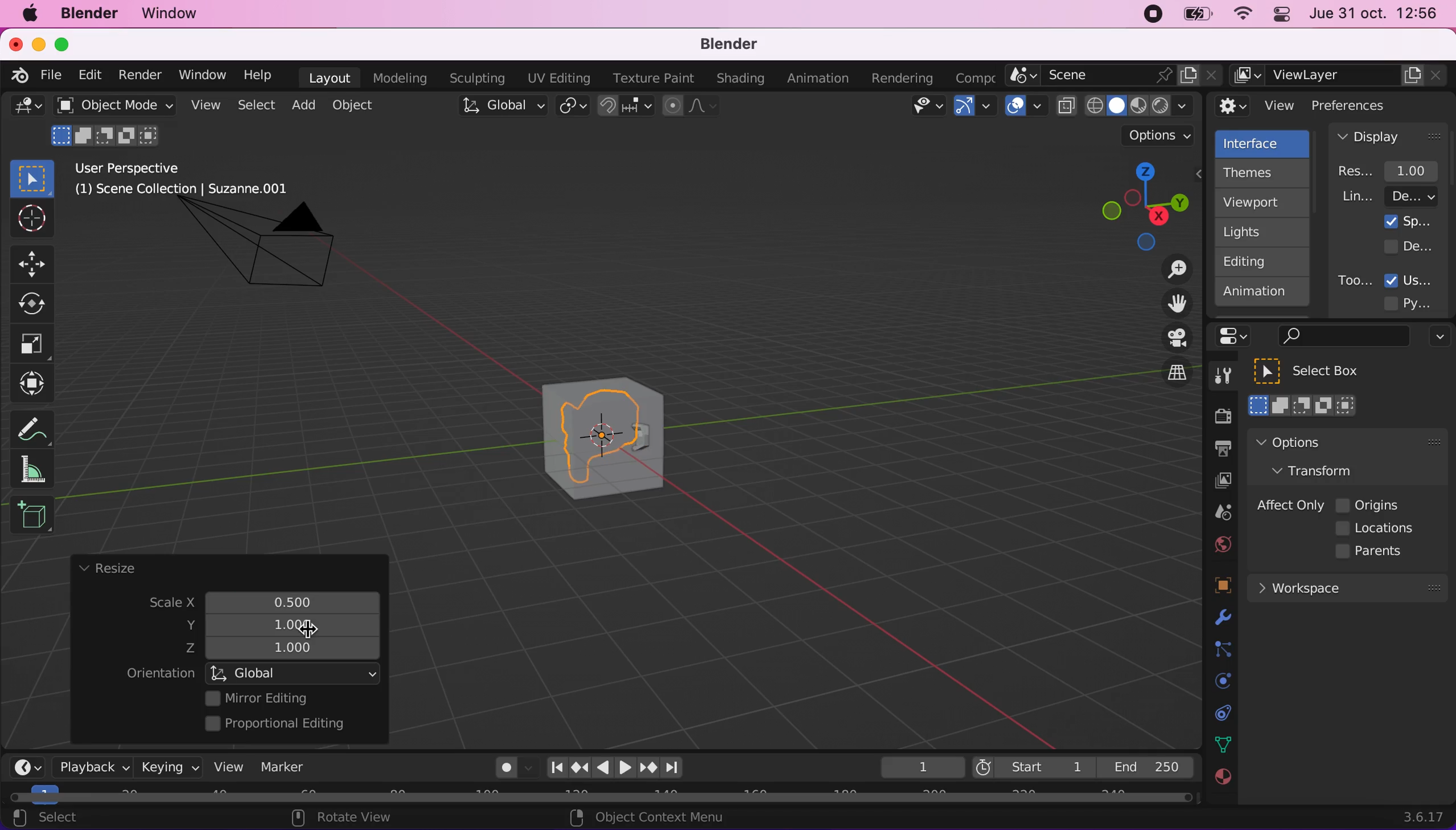 This screenshot has height=830, width=1456. I want to click on mac logo, so click(29, 15).